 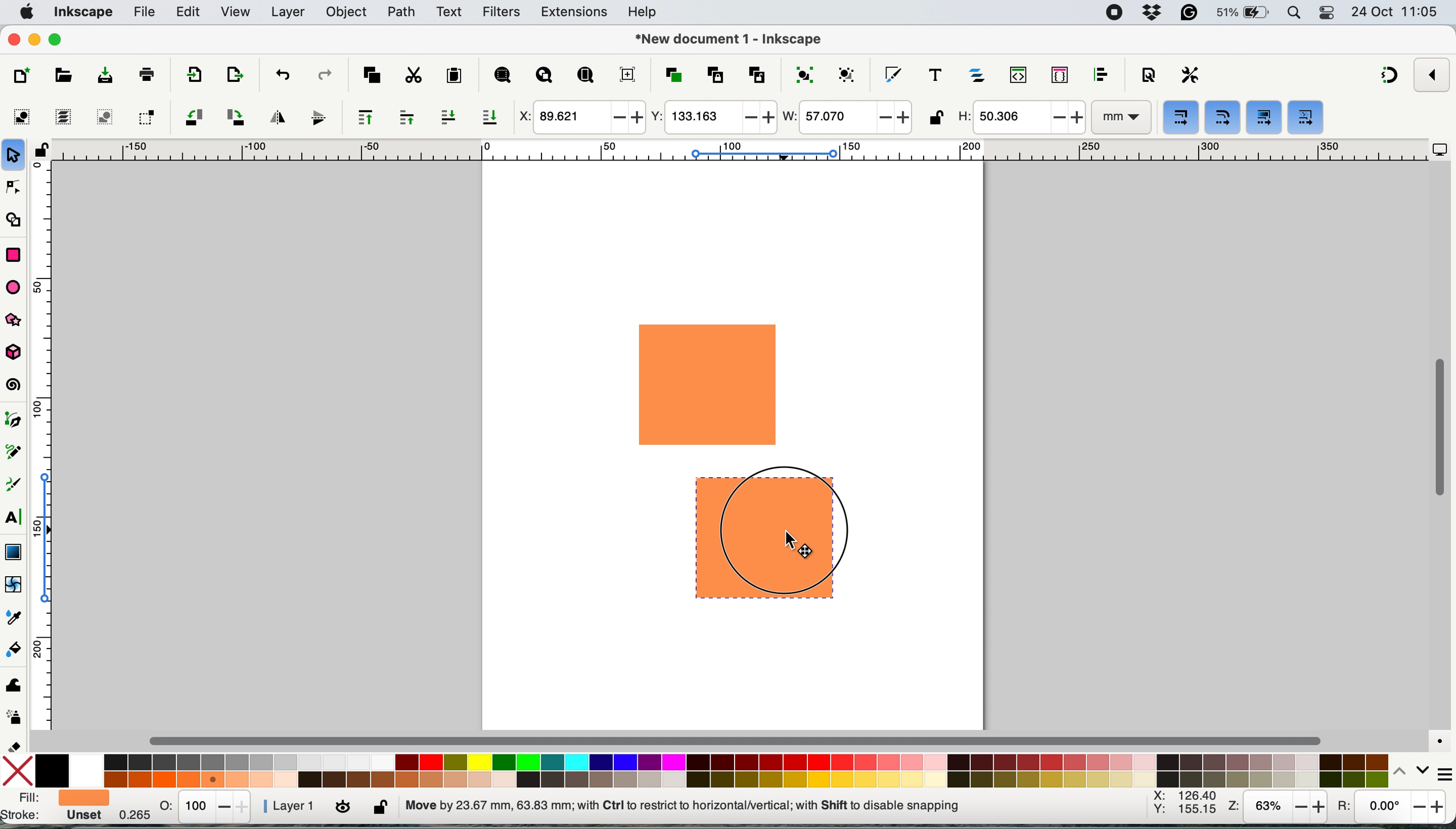 What do you see at coordinates (27, 11) in the screenshot?
I see `system logo` at bounding box center [27, 11].